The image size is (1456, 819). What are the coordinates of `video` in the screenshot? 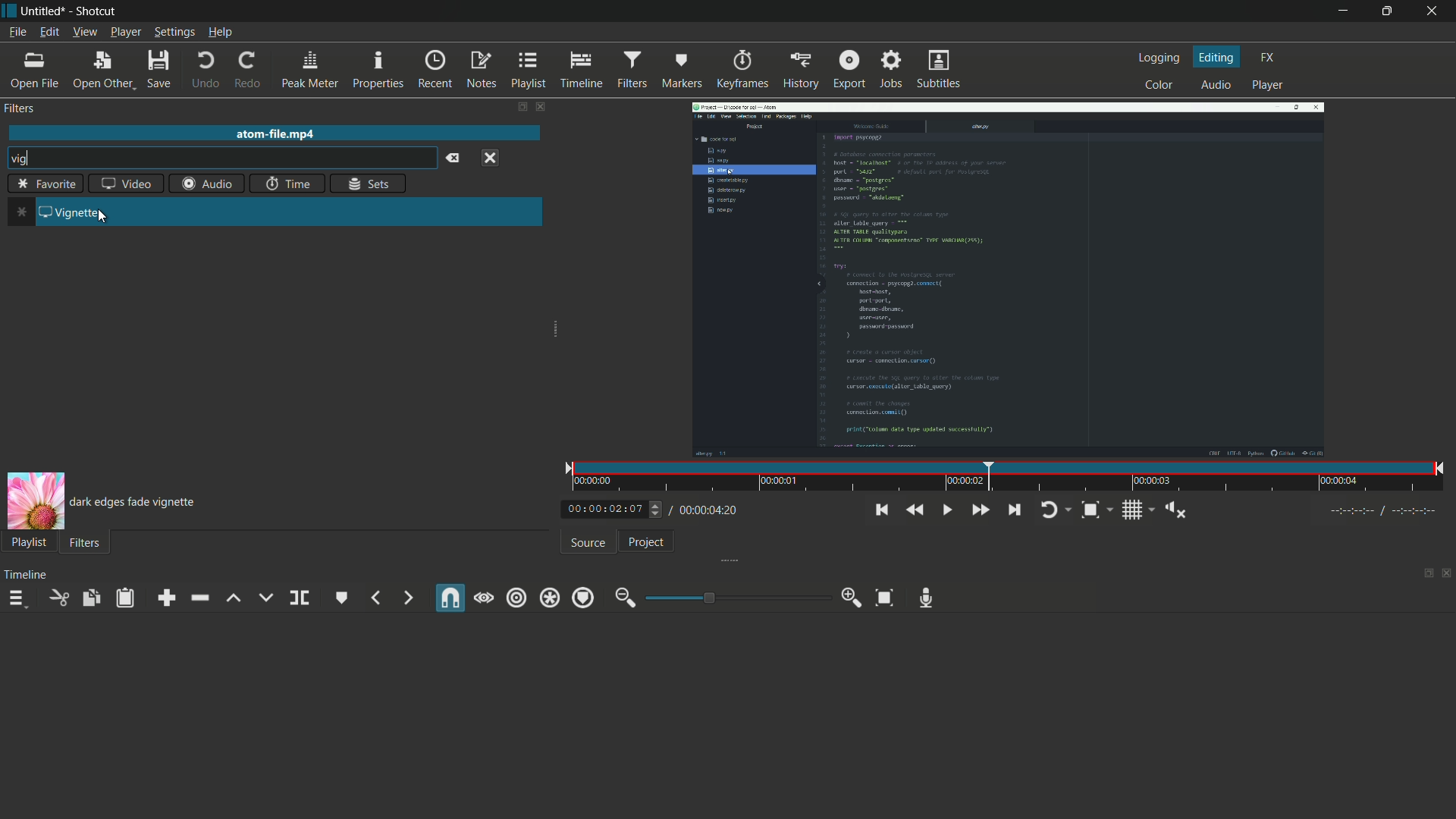 It's located at (127, 185).